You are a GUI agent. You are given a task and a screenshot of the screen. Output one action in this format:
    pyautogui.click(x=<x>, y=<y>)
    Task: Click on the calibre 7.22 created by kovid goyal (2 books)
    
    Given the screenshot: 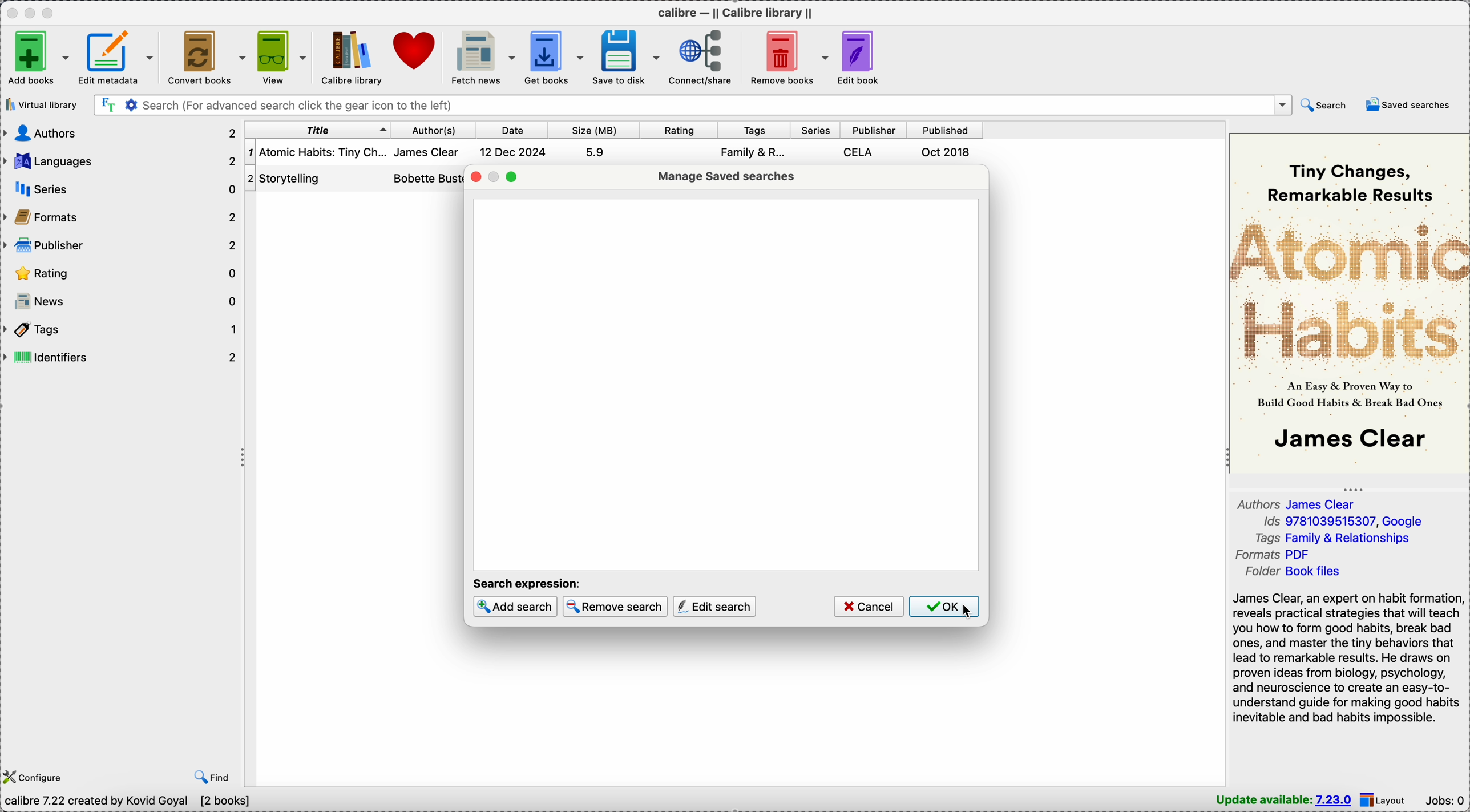 What is the action you would take?
    pyautogui.click(x=131, y=802)
    